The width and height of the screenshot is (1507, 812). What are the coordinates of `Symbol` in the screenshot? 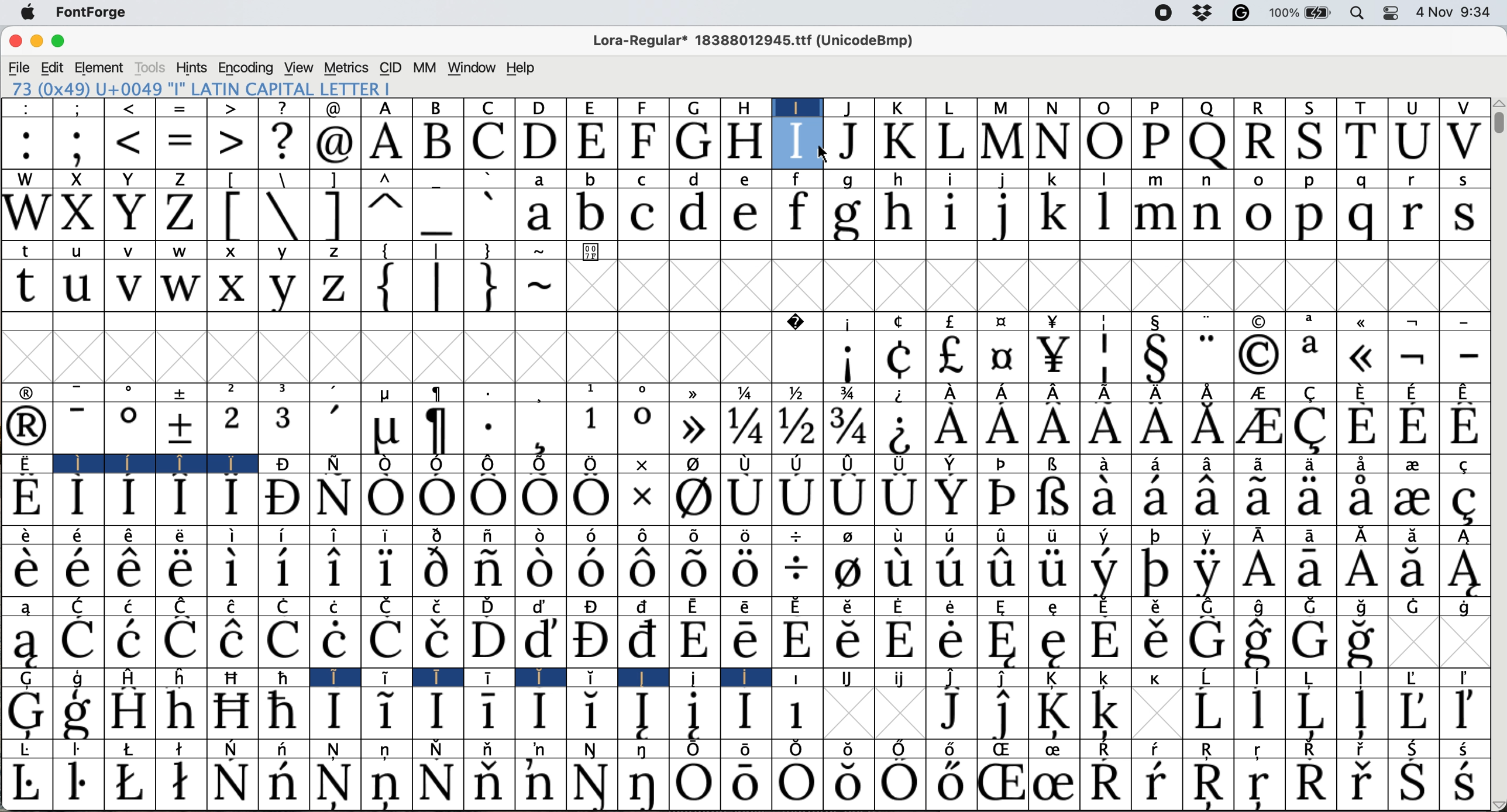 It's located at (436, 748).